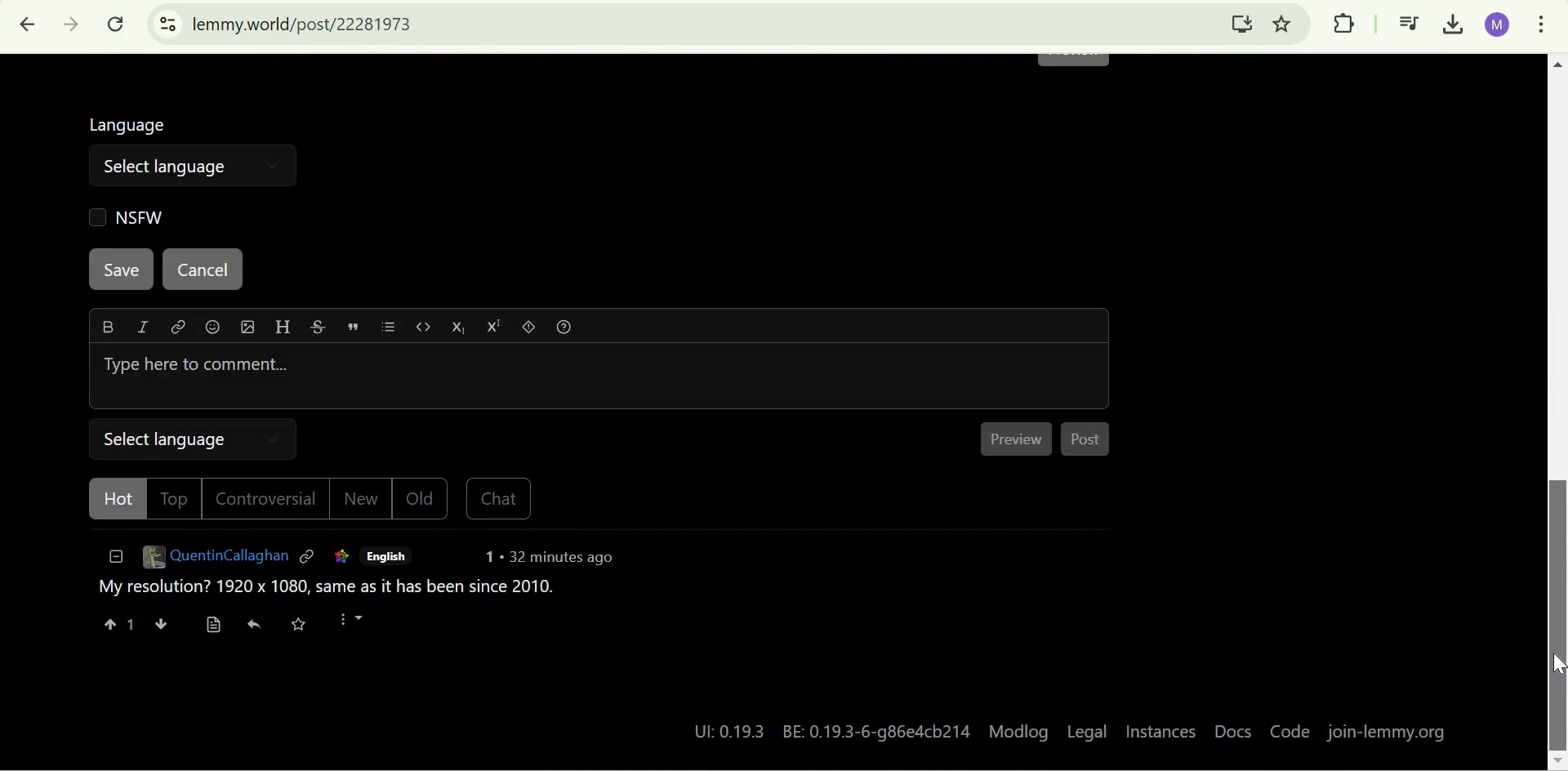 The image size is (1568, 771). Describe the element at coordinates (270, 501) in the screenshot. I see `Controversial` at that location.